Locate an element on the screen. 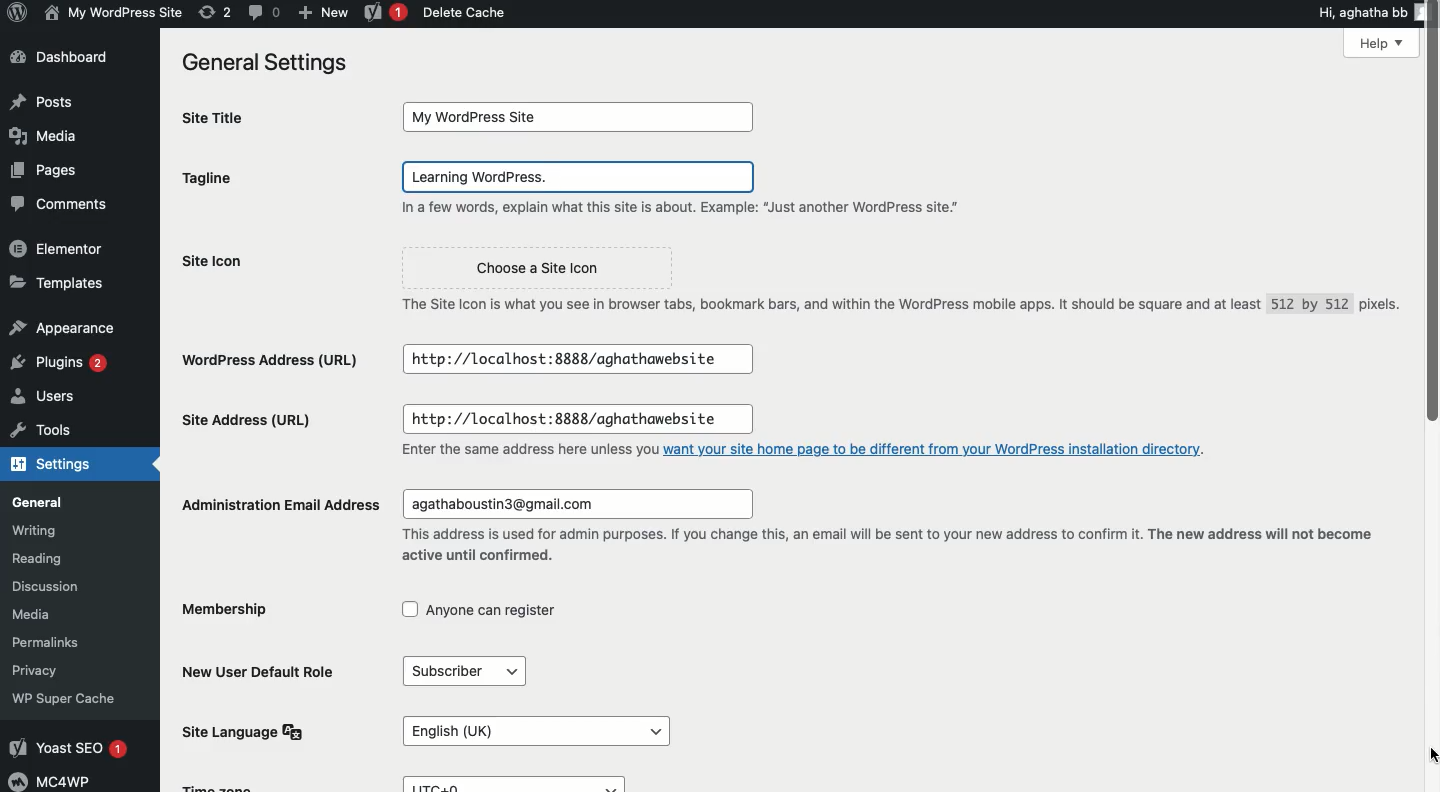  Help is located at coordinates (1345, 46).